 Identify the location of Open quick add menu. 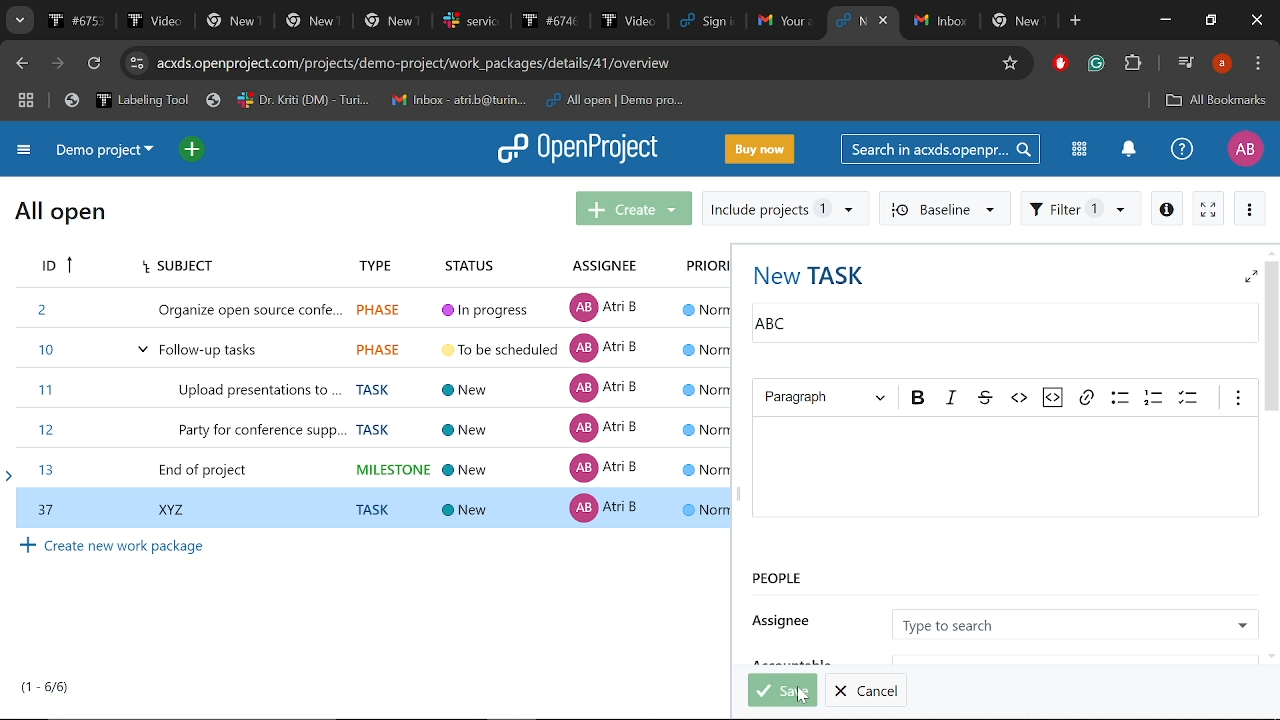
(194, 150).